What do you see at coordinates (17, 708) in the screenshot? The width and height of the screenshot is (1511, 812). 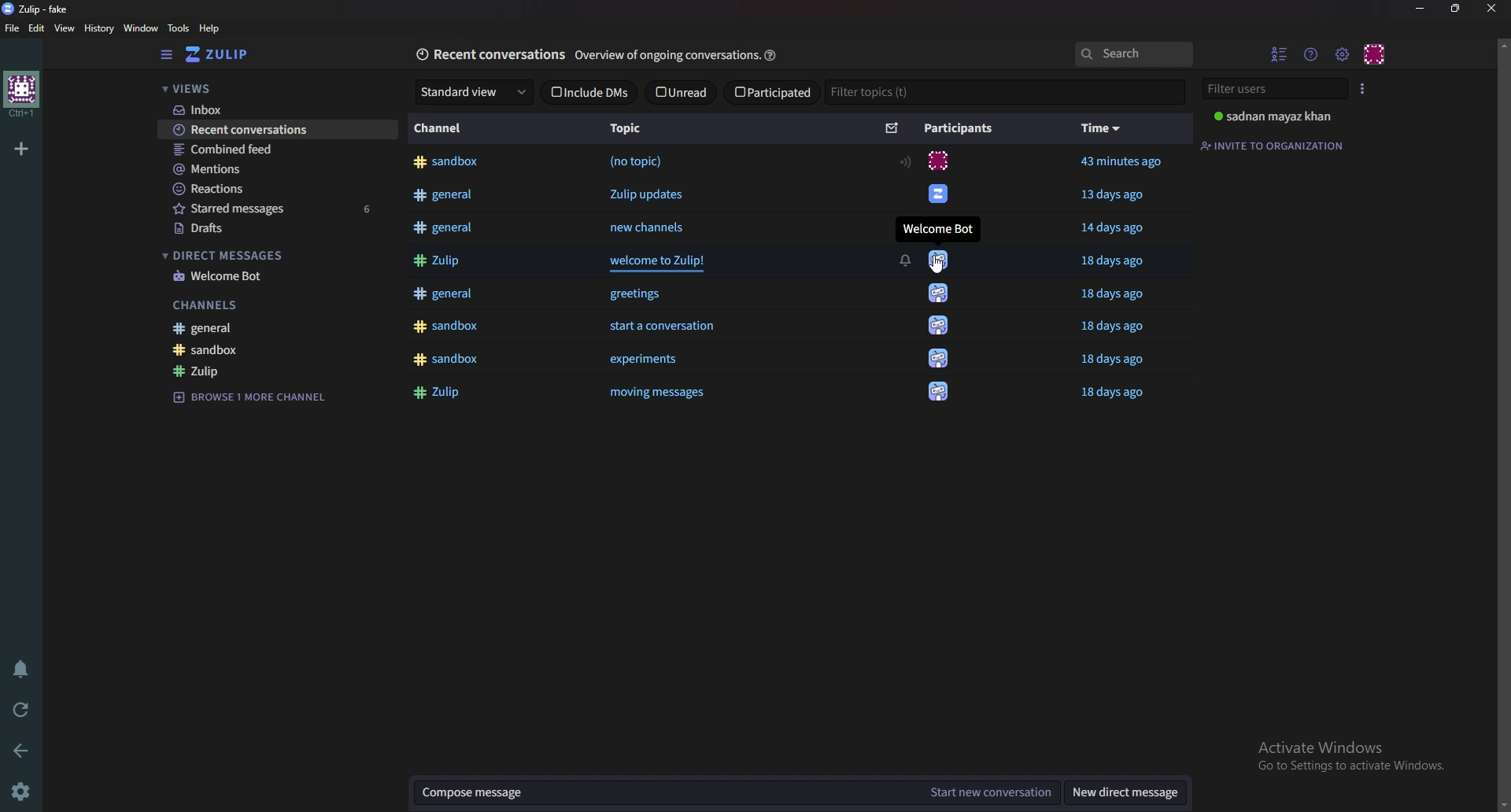 I see `Reload` at bounding box center [17, 708].